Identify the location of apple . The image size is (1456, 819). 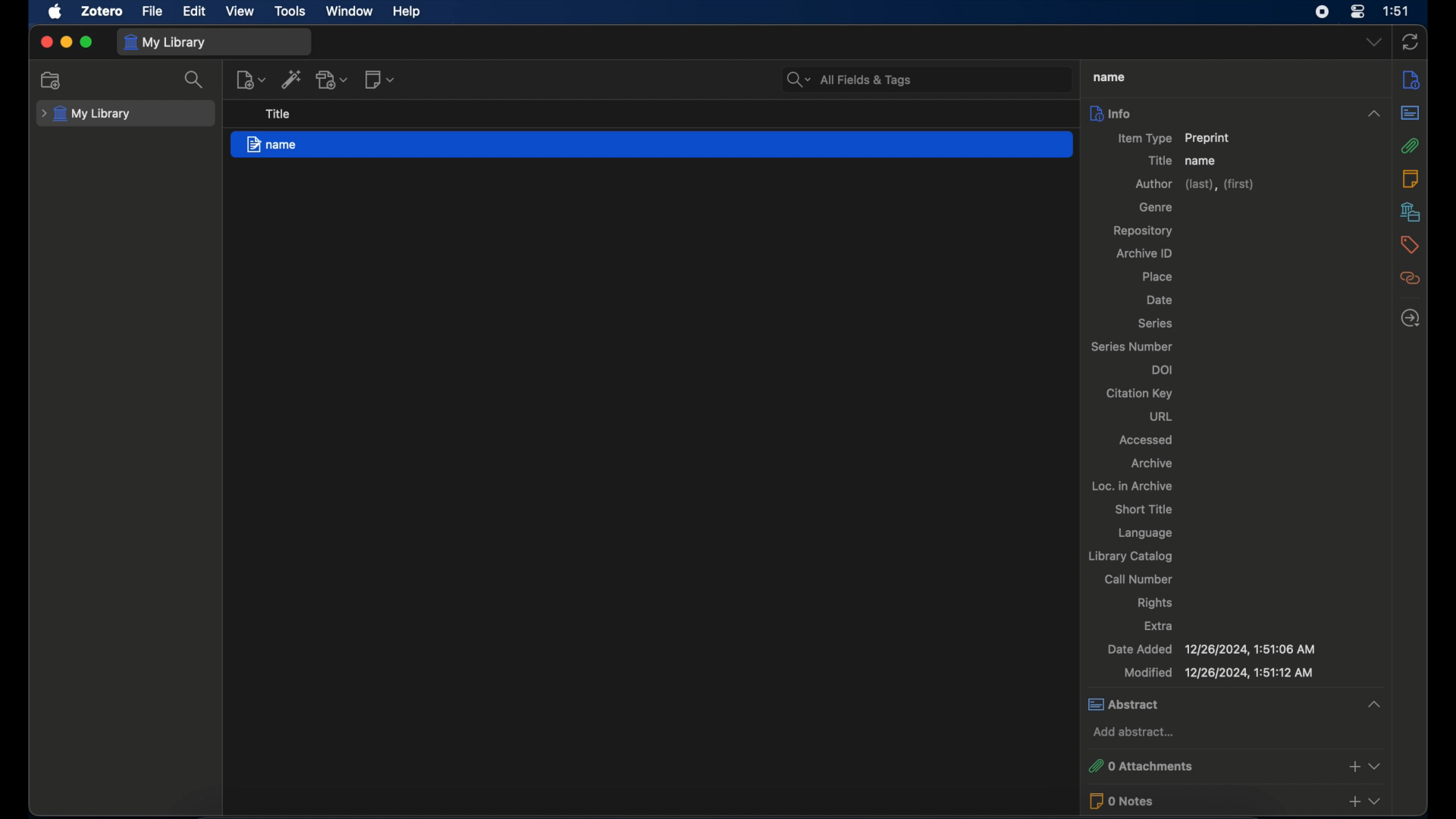
(55, 12).